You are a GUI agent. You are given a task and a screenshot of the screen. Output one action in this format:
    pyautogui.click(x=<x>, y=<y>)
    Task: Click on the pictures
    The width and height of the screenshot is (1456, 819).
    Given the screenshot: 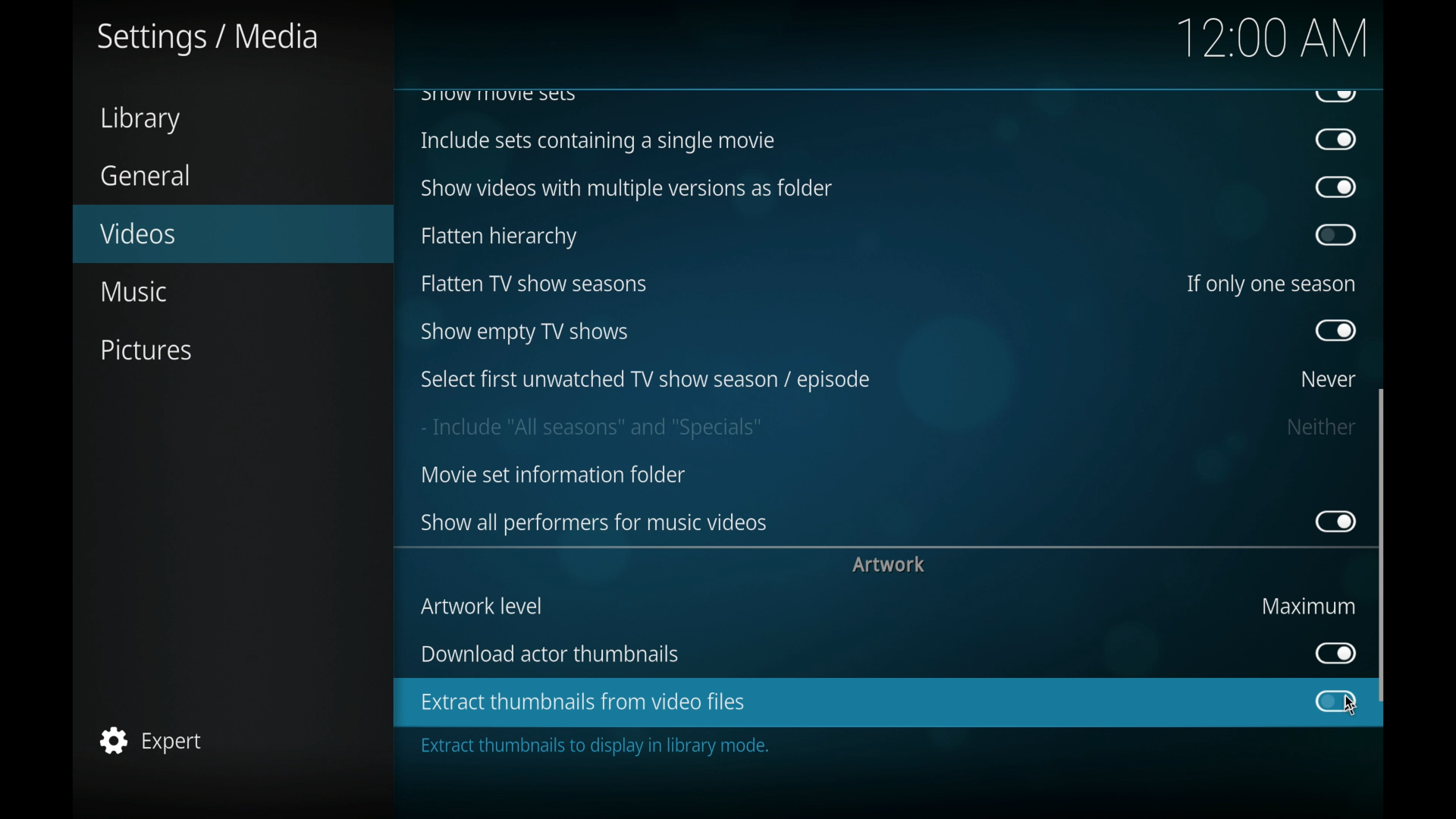 What is the action you would take?
    pyautogui.click(x=150, y=350)
    